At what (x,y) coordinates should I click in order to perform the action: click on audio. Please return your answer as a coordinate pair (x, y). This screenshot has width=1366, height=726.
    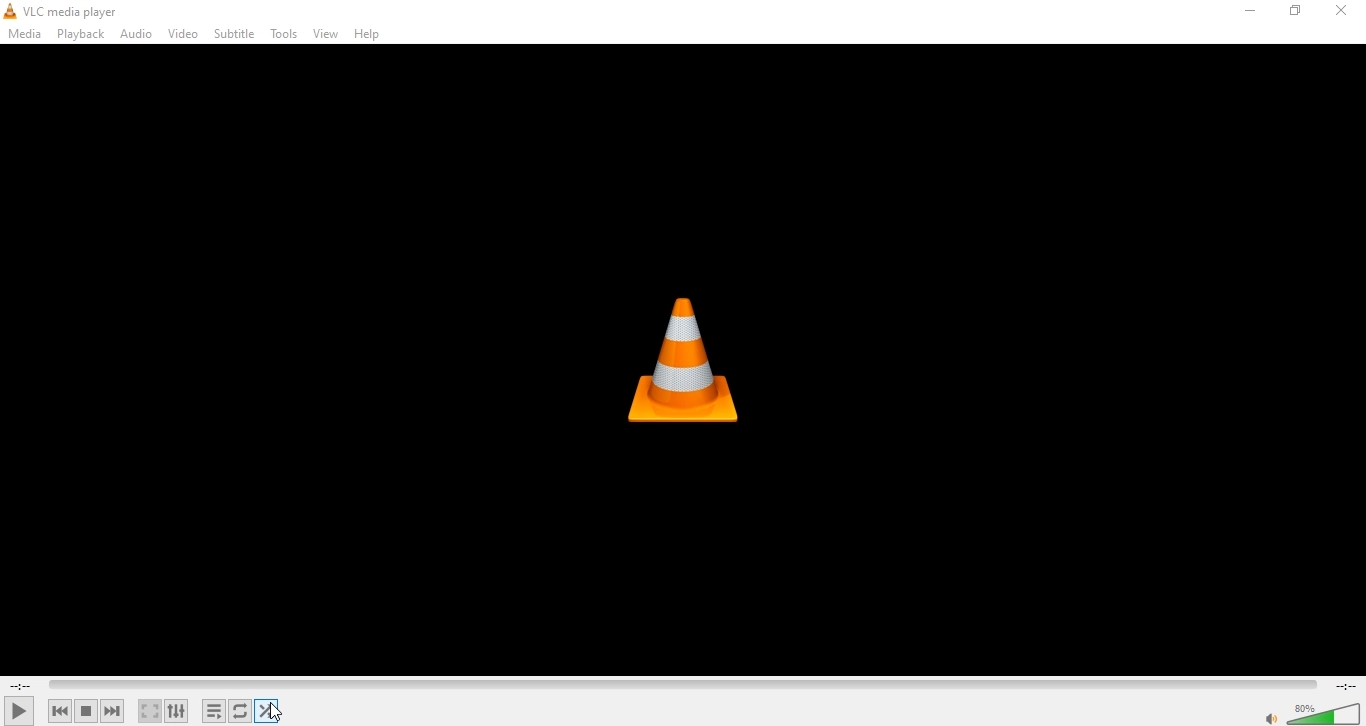
    Looking at the image, I should click on (136, 34).